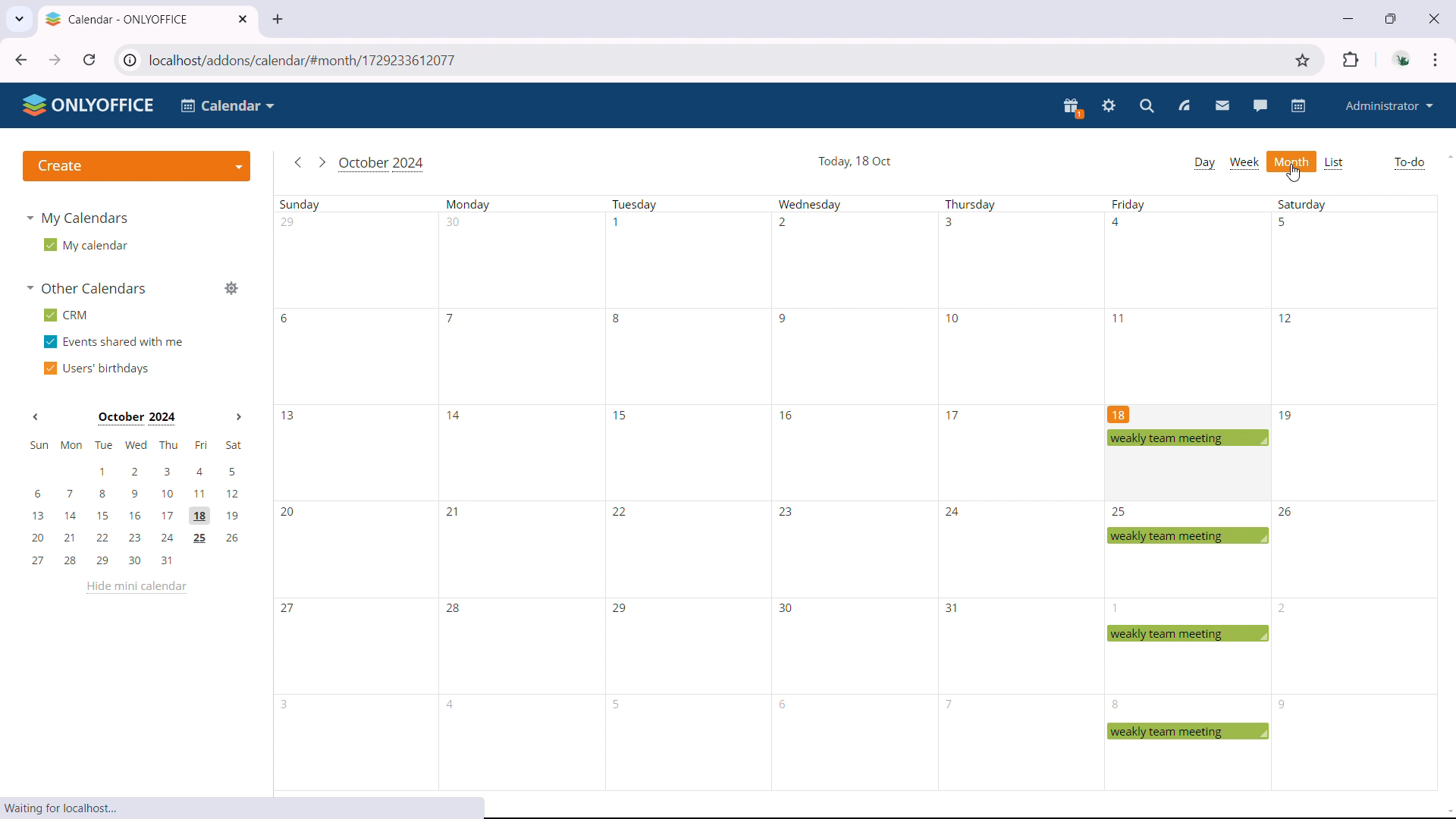 The image size is (1456, 819). What do you see at coordinates (1409, 162) in the screenshot?
I see `to-do` at bounding box center [1409, 162].